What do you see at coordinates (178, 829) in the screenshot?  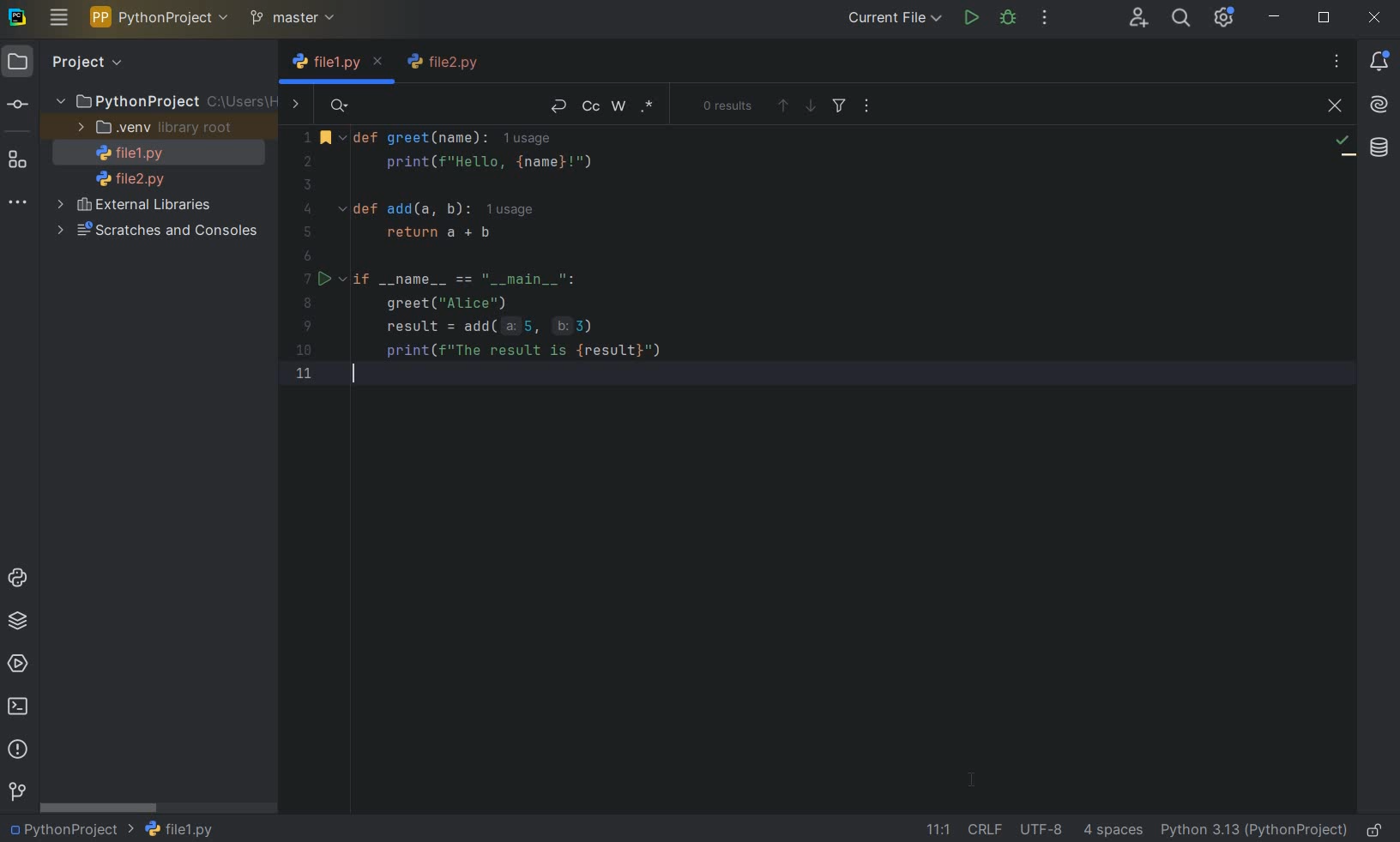 I see `FILE NAME` at bounding box center [178, 829].